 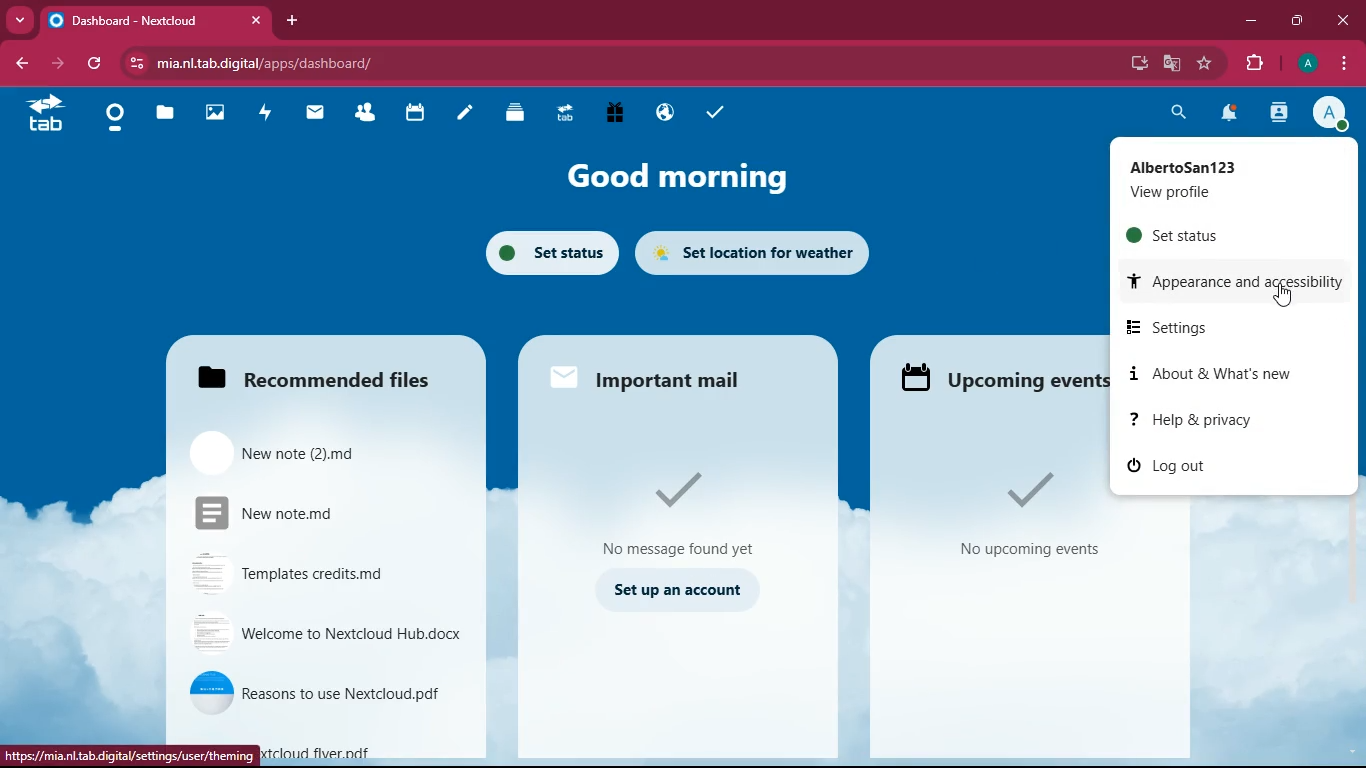 I want to click on set status, so click(x=1235, y=235).